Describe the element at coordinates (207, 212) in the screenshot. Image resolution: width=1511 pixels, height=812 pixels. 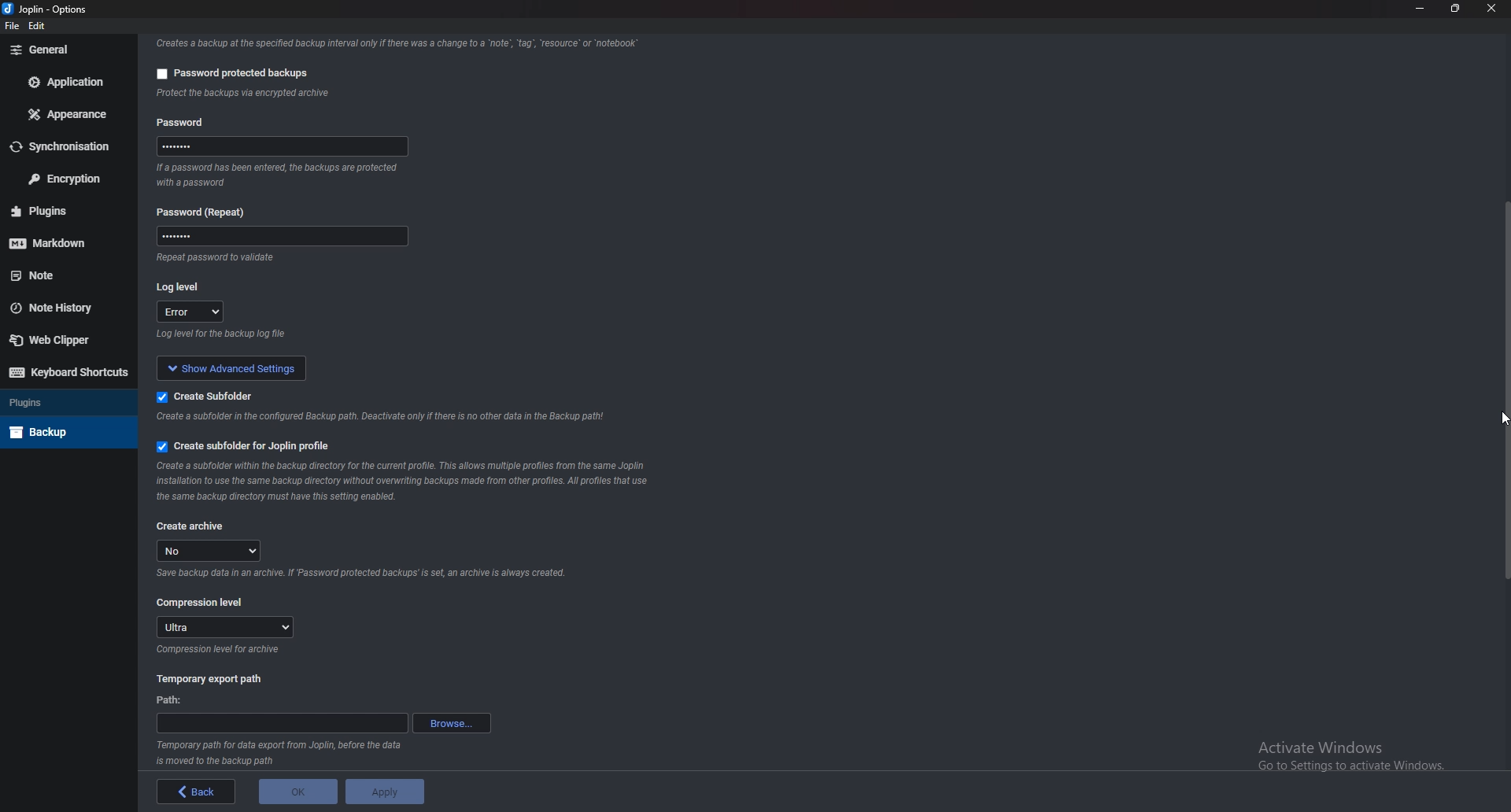
I see `password (repeat)` at that location.